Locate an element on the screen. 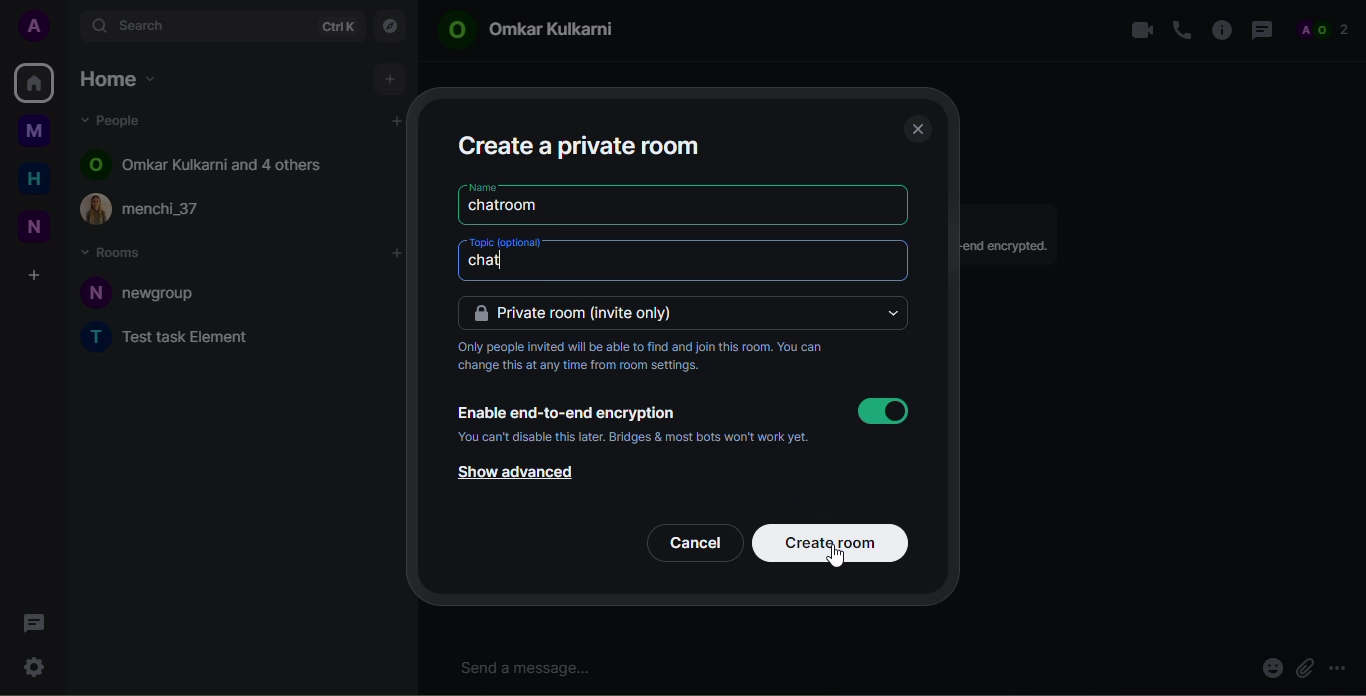 The width and height of the screenshot is (1366, 696). add is located at coordinates (397, 121).